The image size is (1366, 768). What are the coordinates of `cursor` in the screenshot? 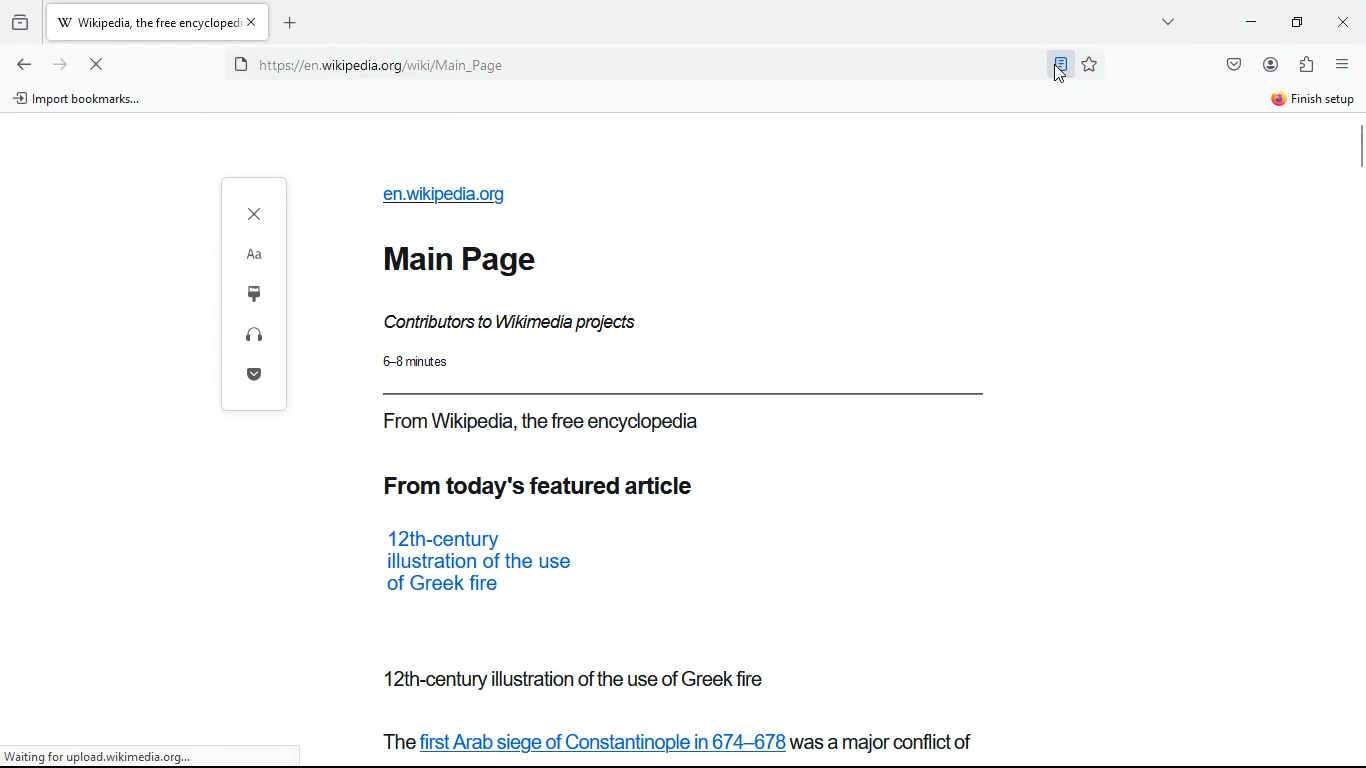 It's located at (1060, 76).